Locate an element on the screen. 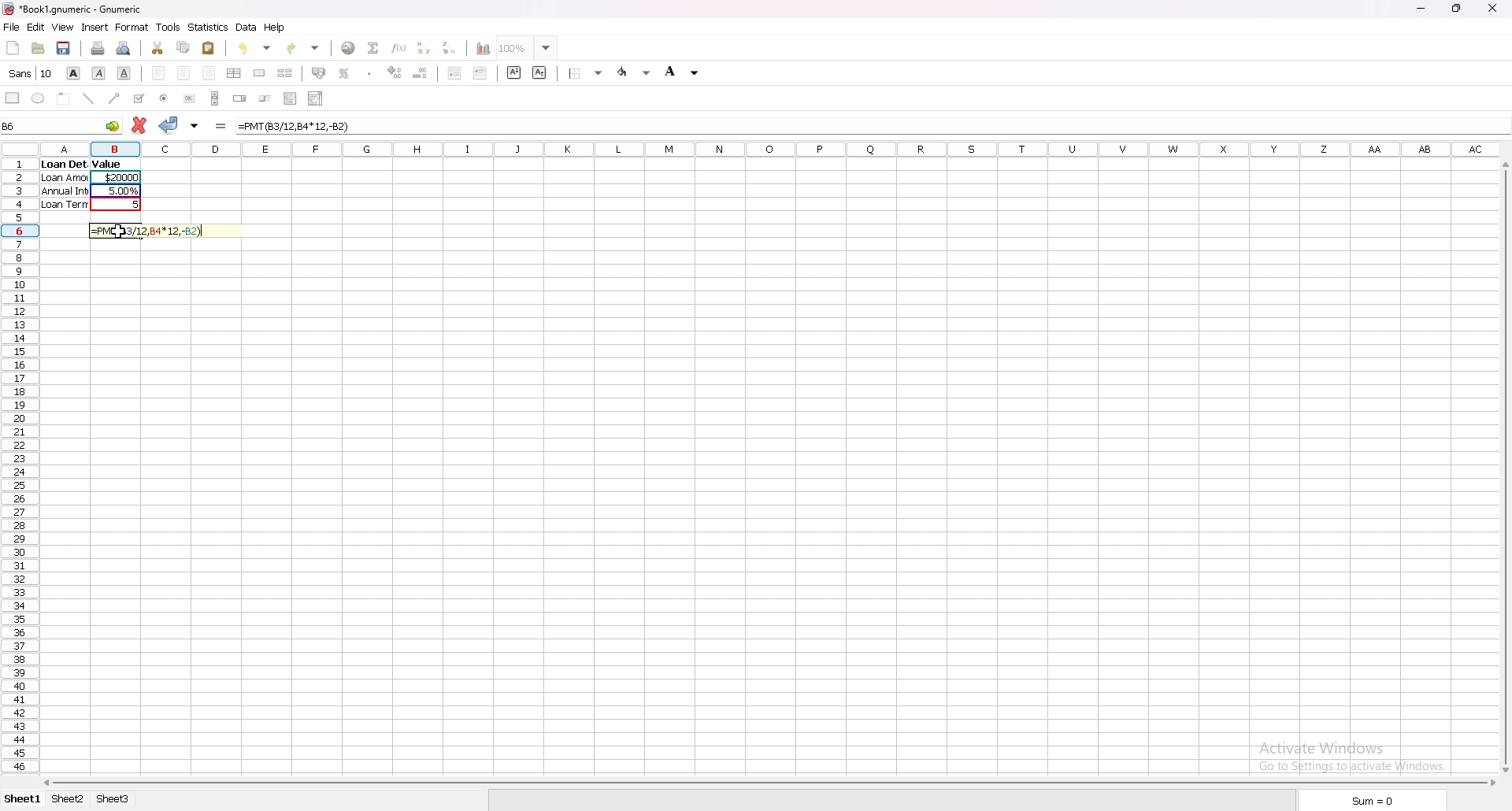 The image size is (1512, 811). accept changes is located at coordinates (169, 125).